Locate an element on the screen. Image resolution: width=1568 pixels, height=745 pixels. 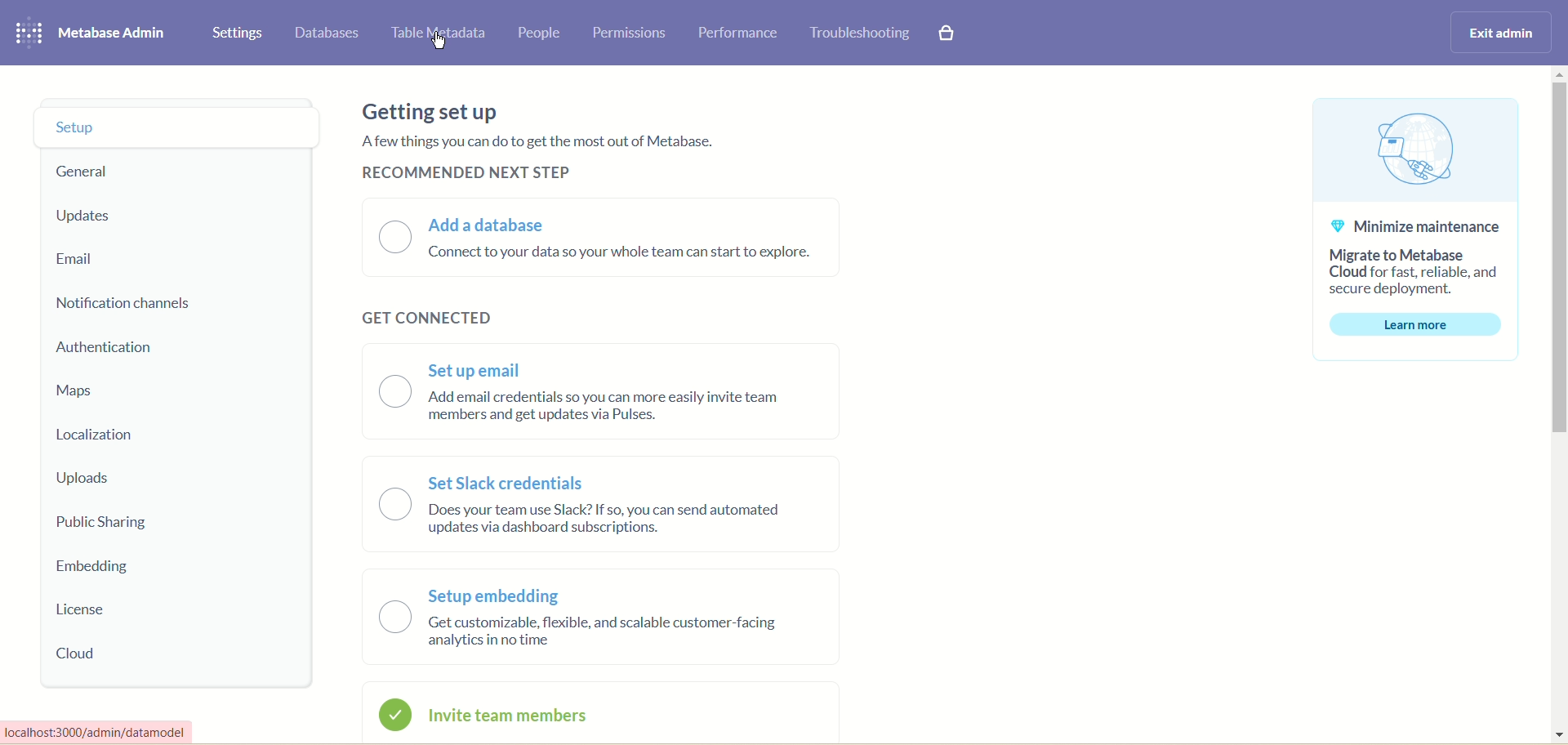
exit admin is located at coordinates (1497, 34).